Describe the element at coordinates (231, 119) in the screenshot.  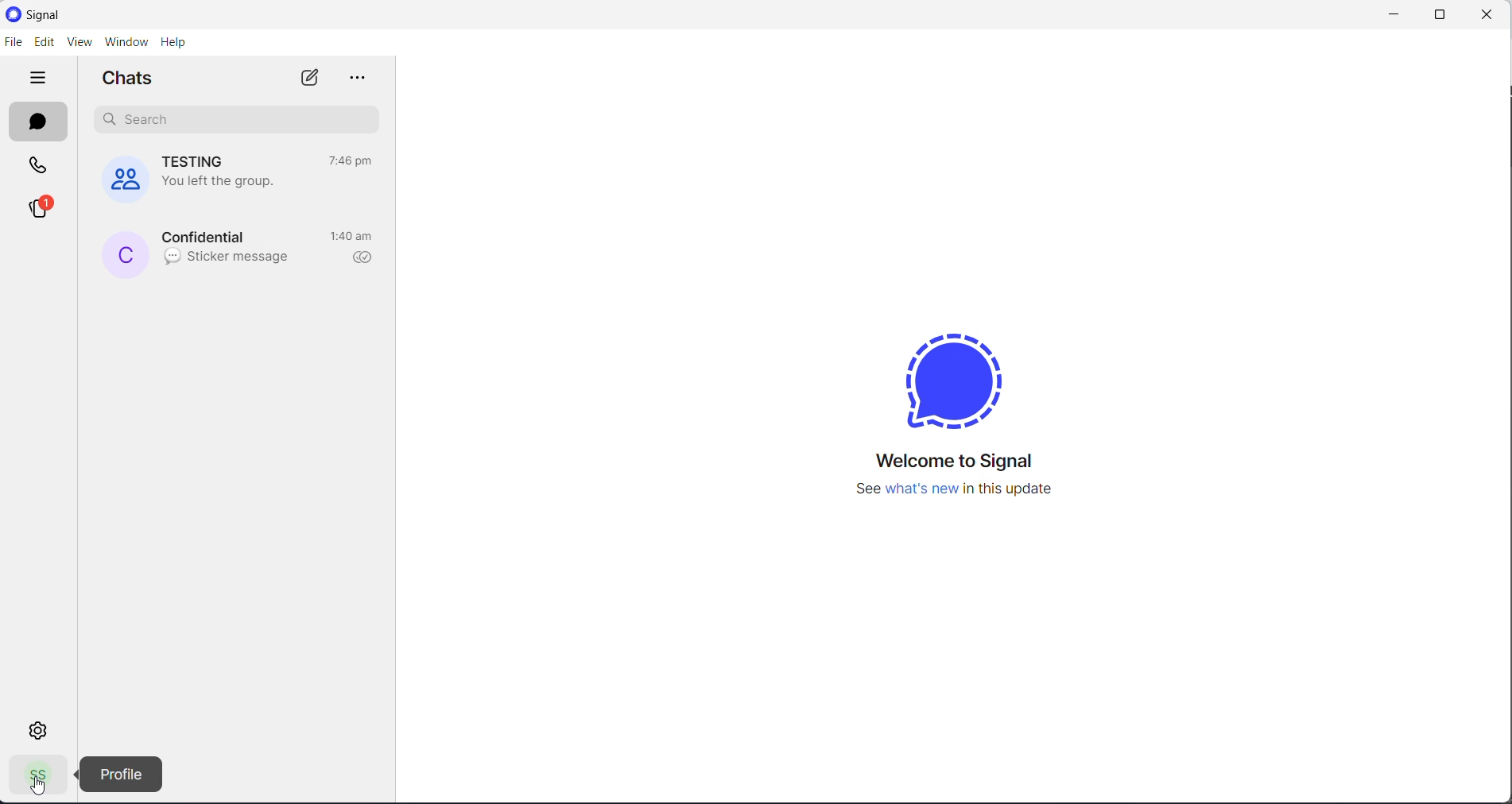
I see `search chats` at that location.